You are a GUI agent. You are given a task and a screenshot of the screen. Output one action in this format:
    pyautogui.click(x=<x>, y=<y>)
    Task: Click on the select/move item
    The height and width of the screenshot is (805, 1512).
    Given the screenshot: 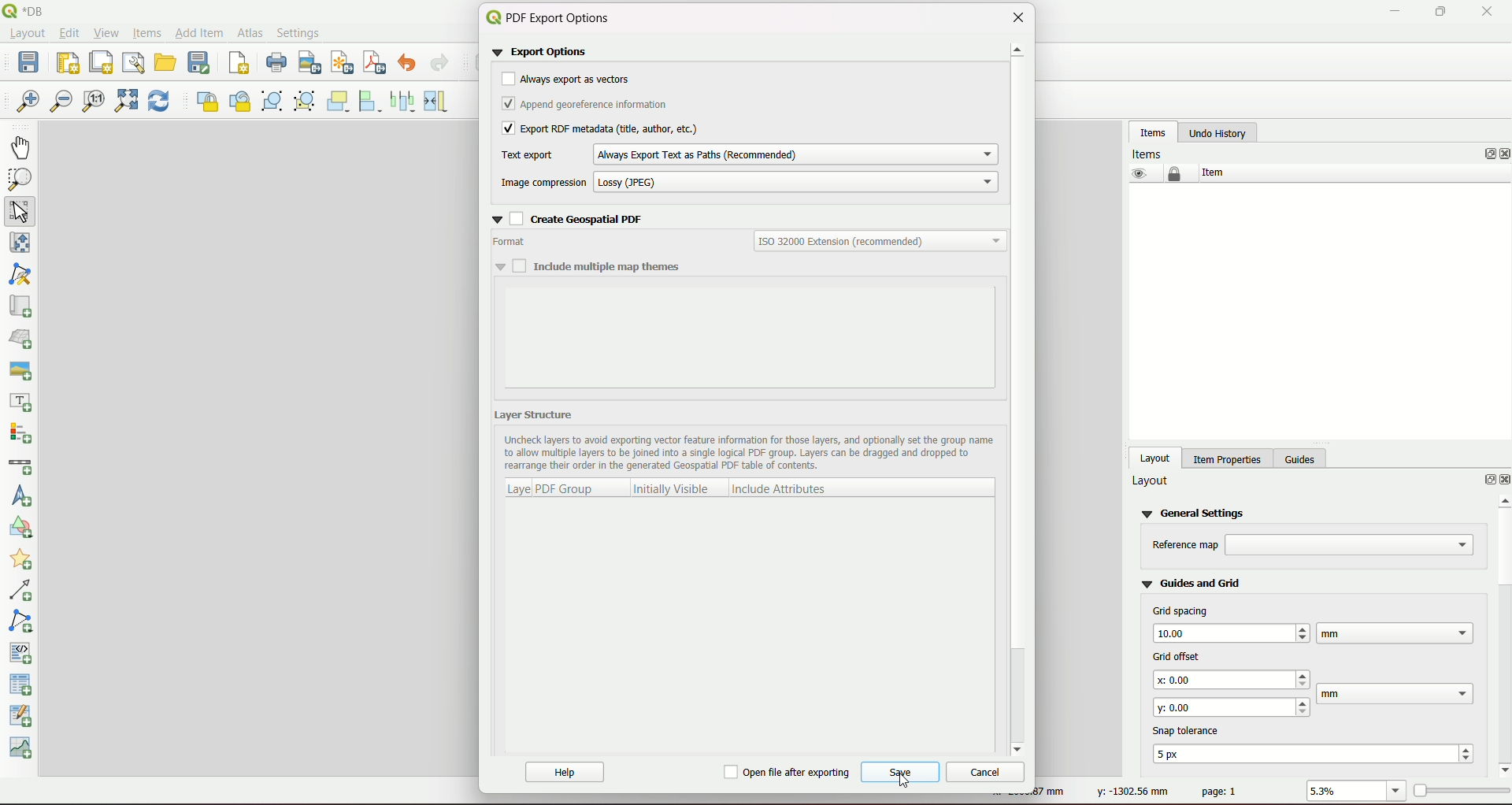 What is the action you would take?
    pyautogui.click(x=22, y=211)
    